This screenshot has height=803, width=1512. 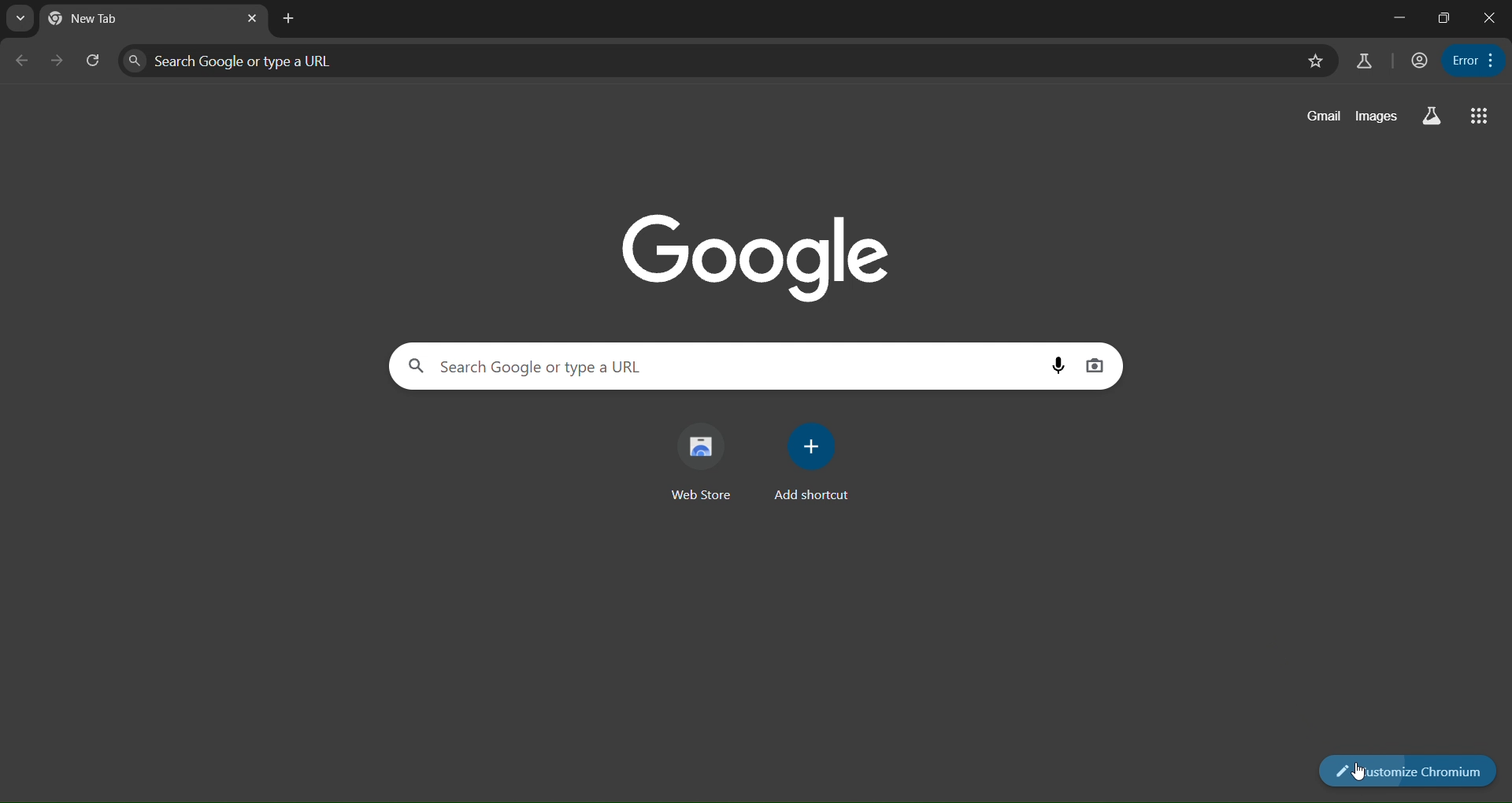 I want to click on voicesearch, so click(x=1095, y=367).